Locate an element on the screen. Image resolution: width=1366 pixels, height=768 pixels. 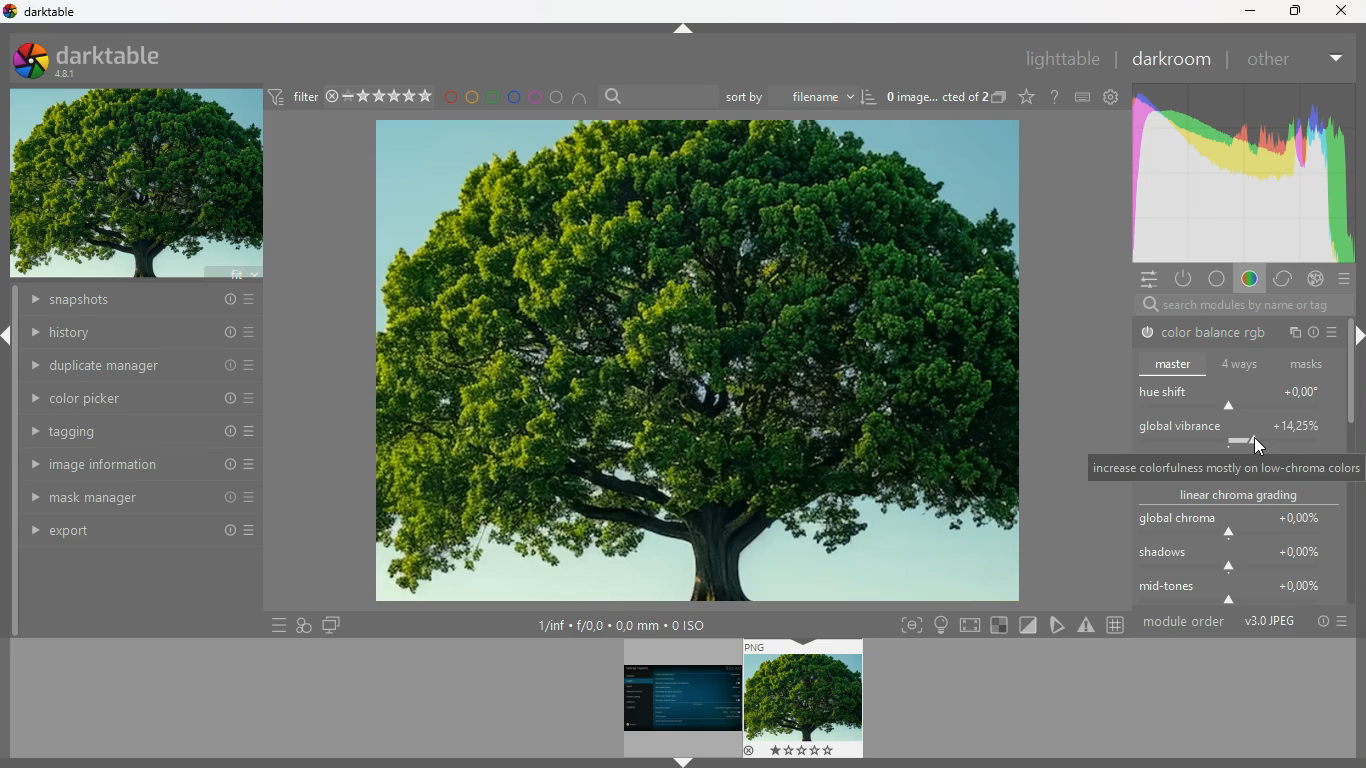
image is located at coordinates (679, 698).